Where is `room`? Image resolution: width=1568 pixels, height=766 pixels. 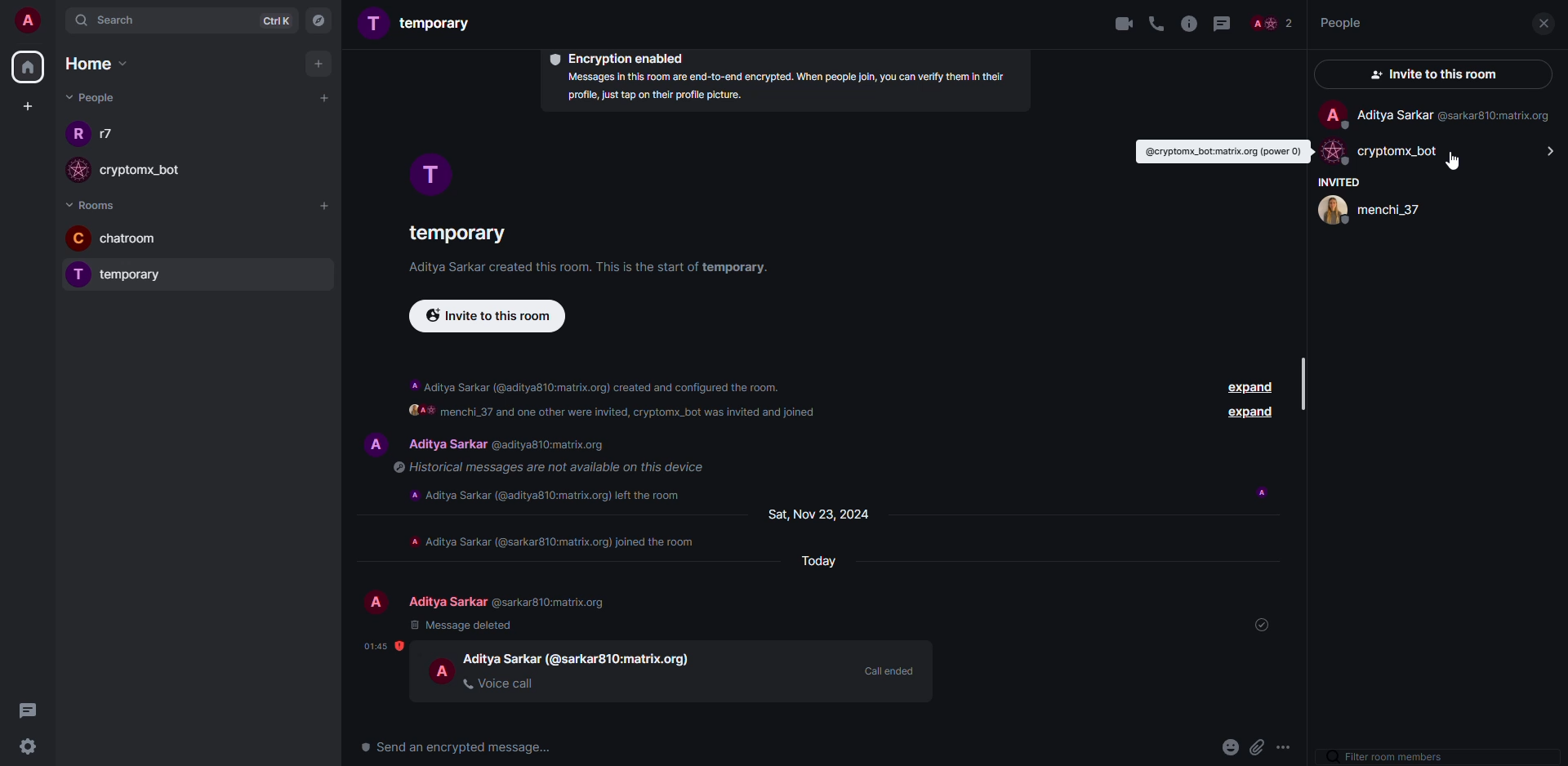
room is located at coordinates (147, 278).